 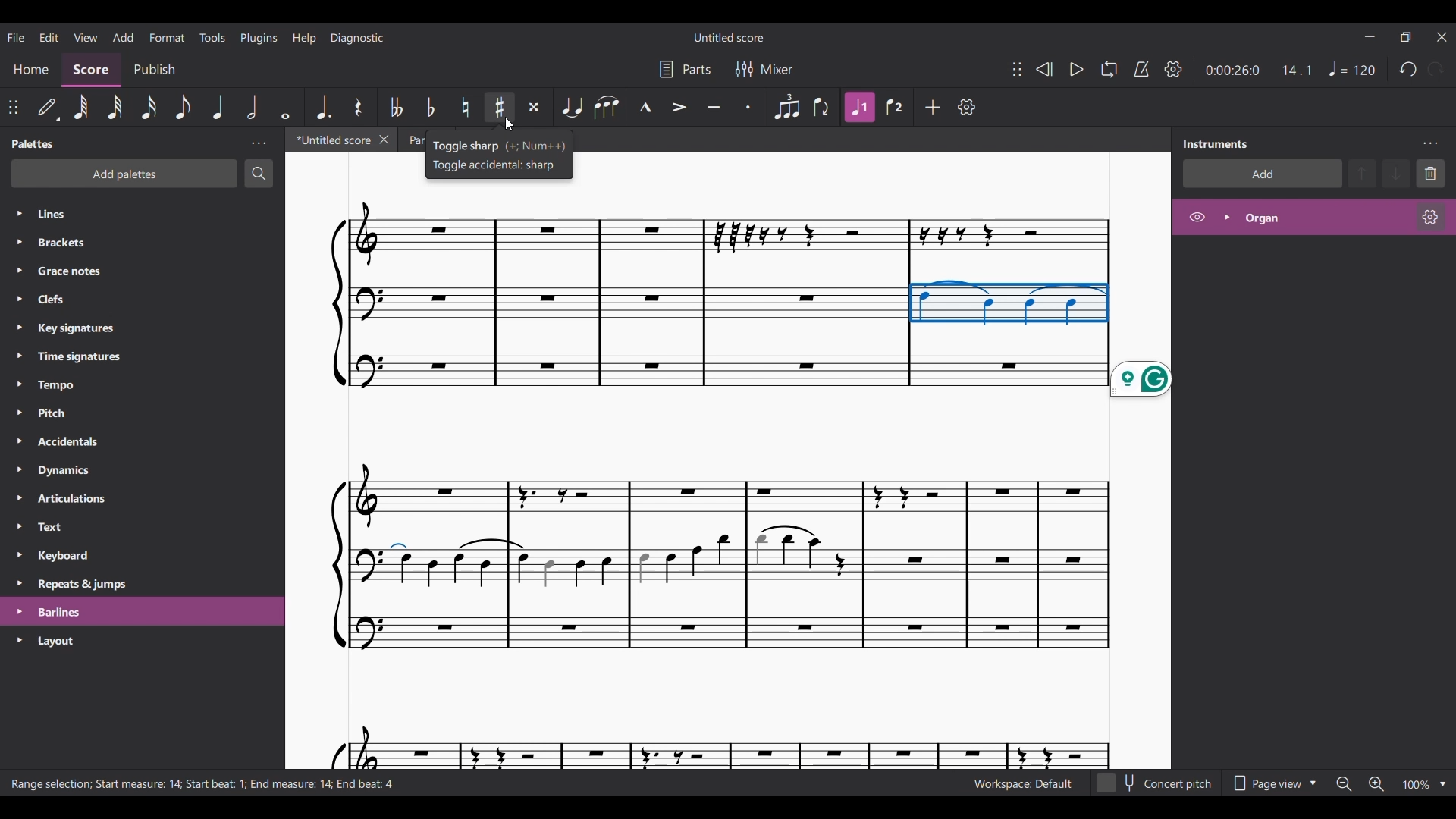 What do you see at coordinates (1023, 783) in the screenshot?
I see `Current workspace settings` at bounding box center [1023, 783].